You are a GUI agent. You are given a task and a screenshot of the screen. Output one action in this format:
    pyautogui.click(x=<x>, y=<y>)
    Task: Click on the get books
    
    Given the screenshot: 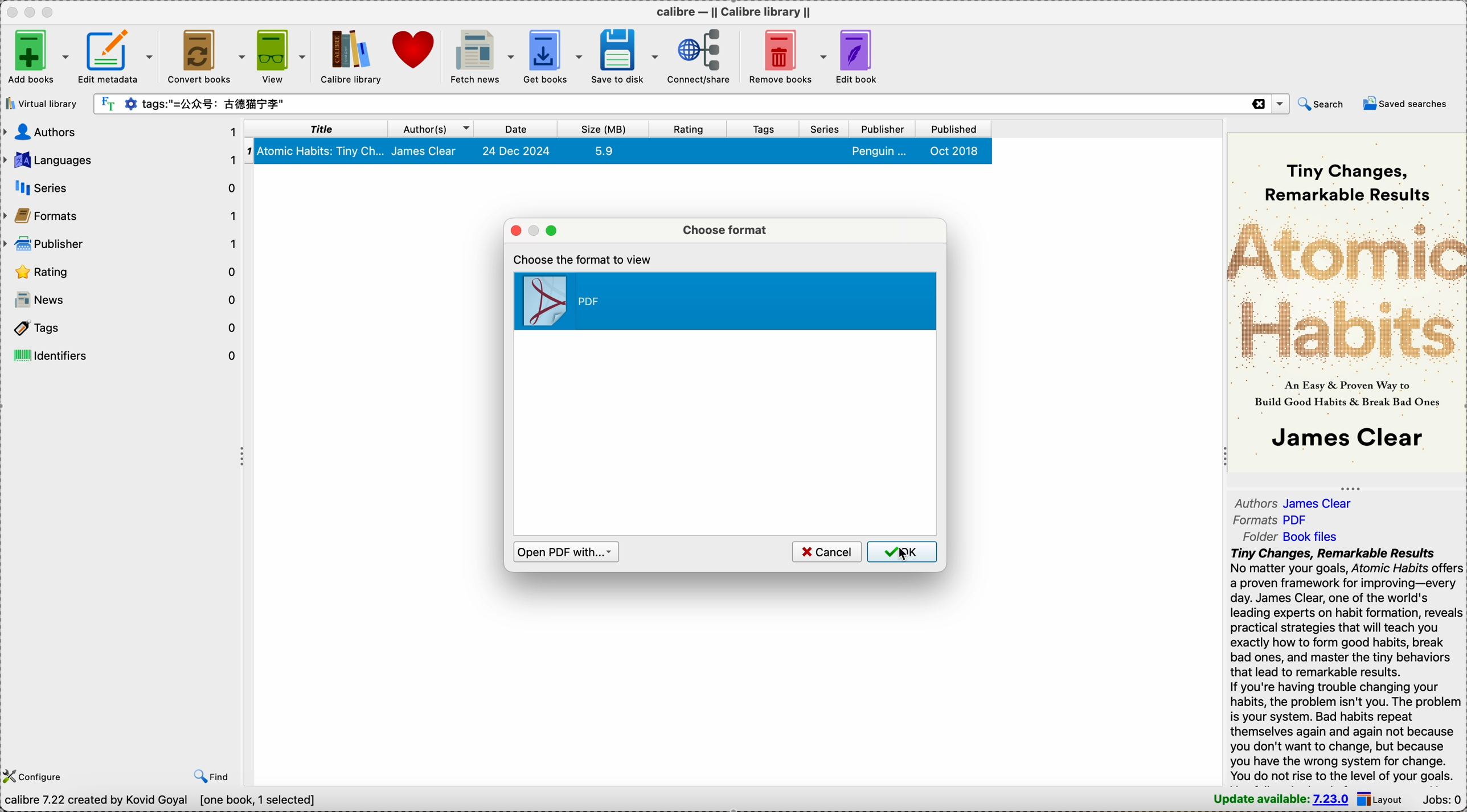 What is the action you would take?
    pyautogui.click(x=553, y=54)
    